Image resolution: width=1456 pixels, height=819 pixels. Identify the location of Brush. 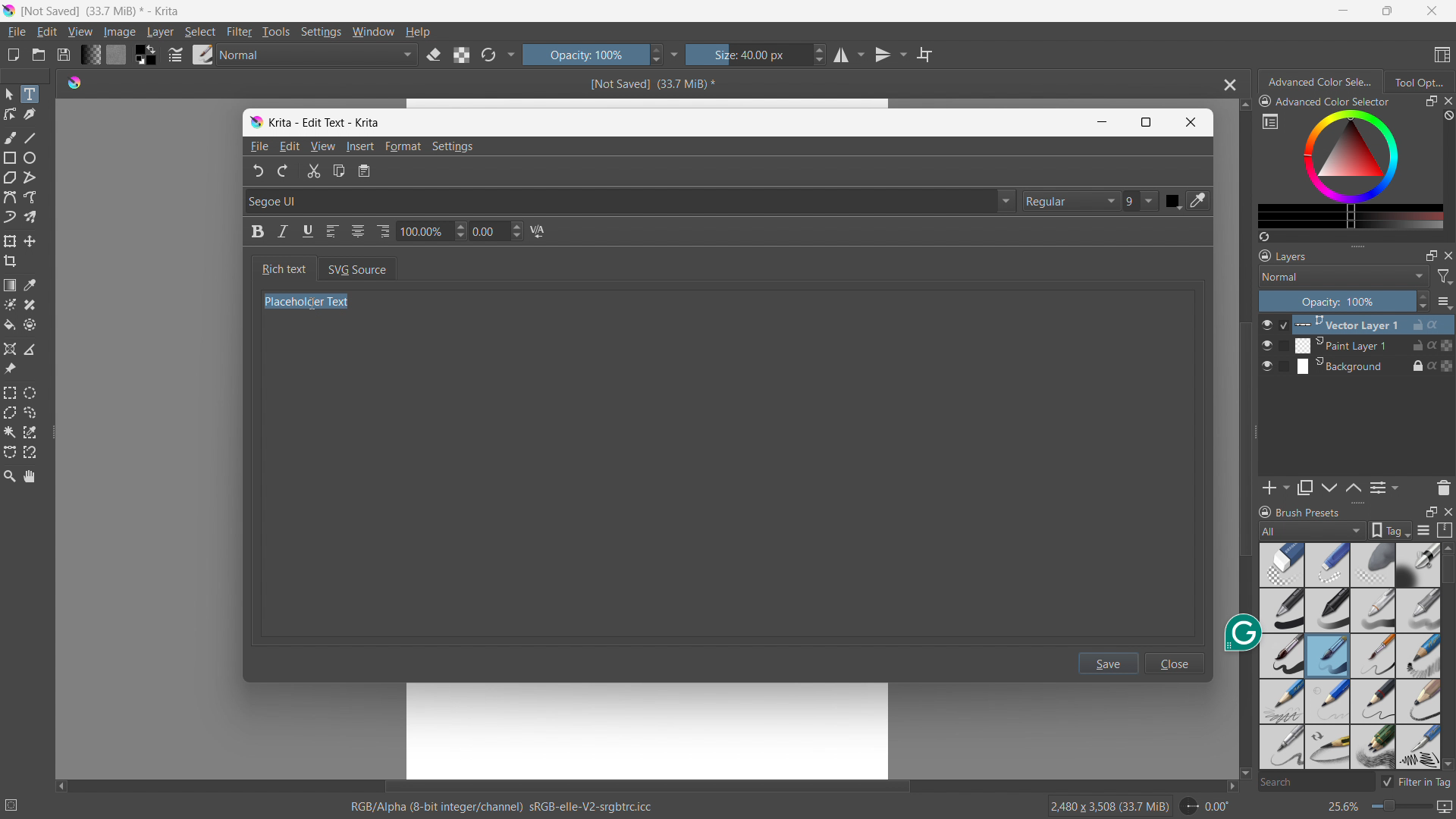
(1282, 654).